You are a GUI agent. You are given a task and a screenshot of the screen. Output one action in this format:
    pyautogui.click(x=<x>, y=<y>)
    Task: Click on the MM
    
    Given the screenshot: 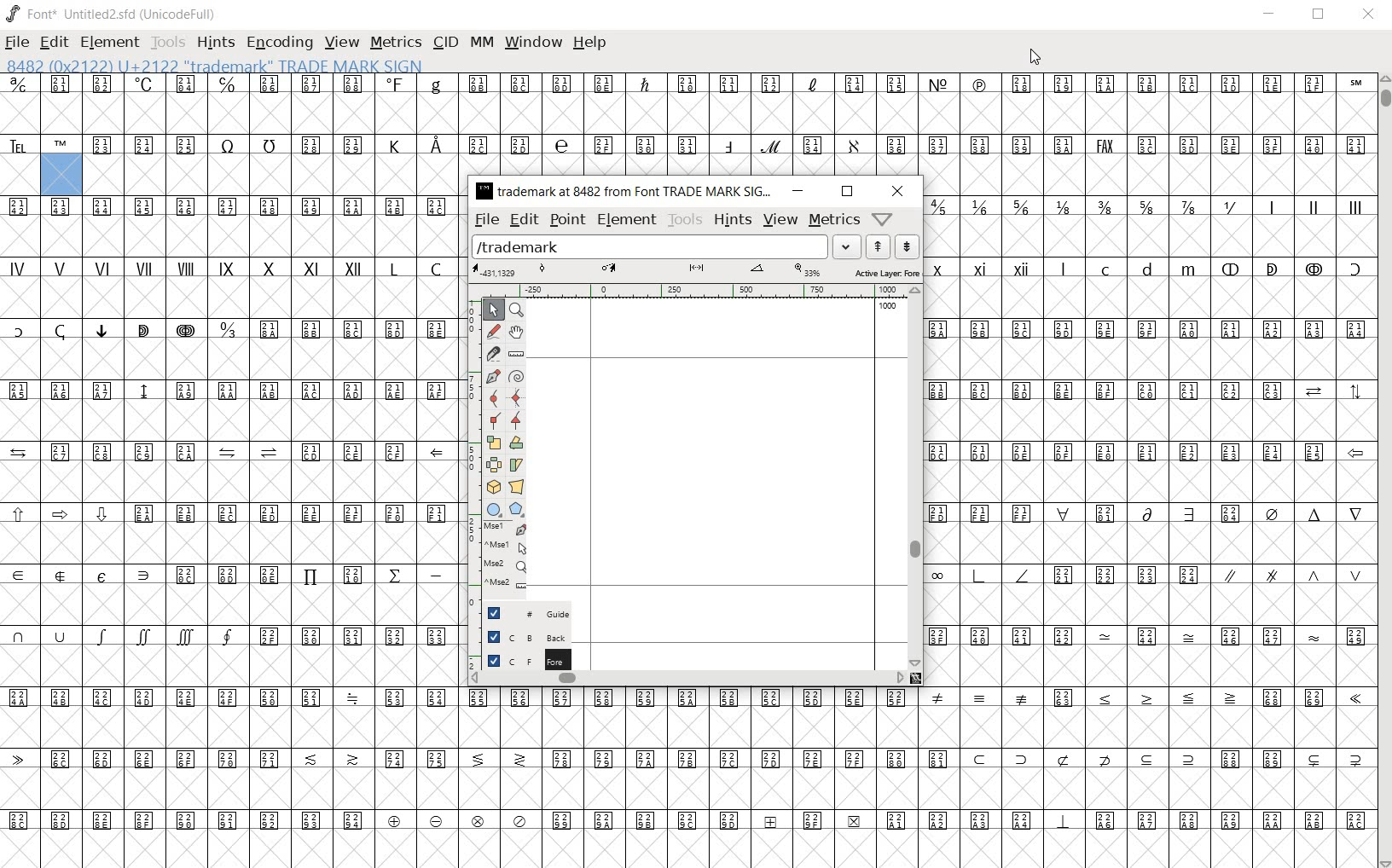 What is the action you would take?
    pyautogui.click(x=481, y=44)
    